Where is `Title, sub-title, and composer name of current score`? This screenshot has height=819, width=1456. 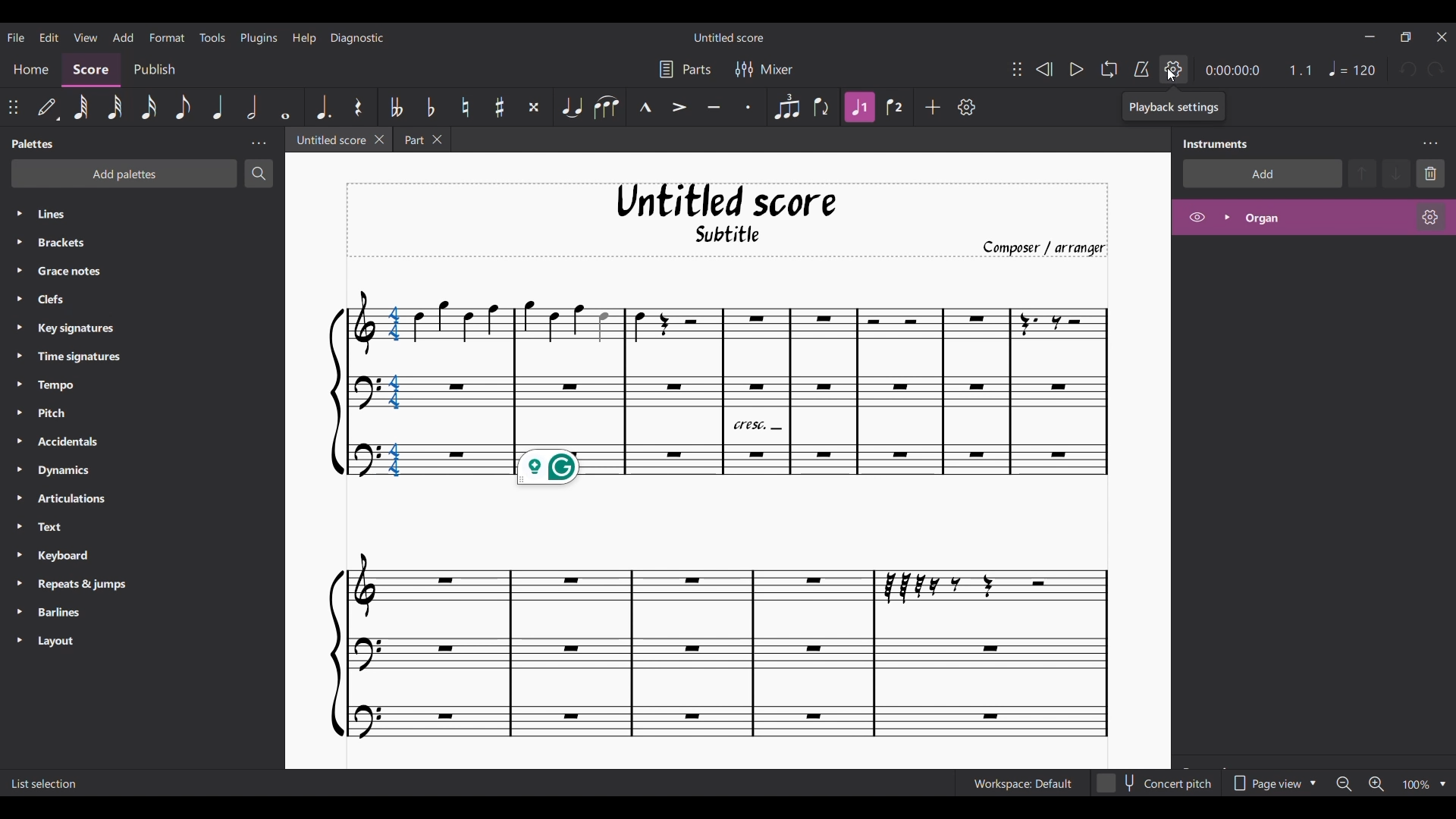 Title, sub-title, and composer name of current score is located at coordinates (727, 220).